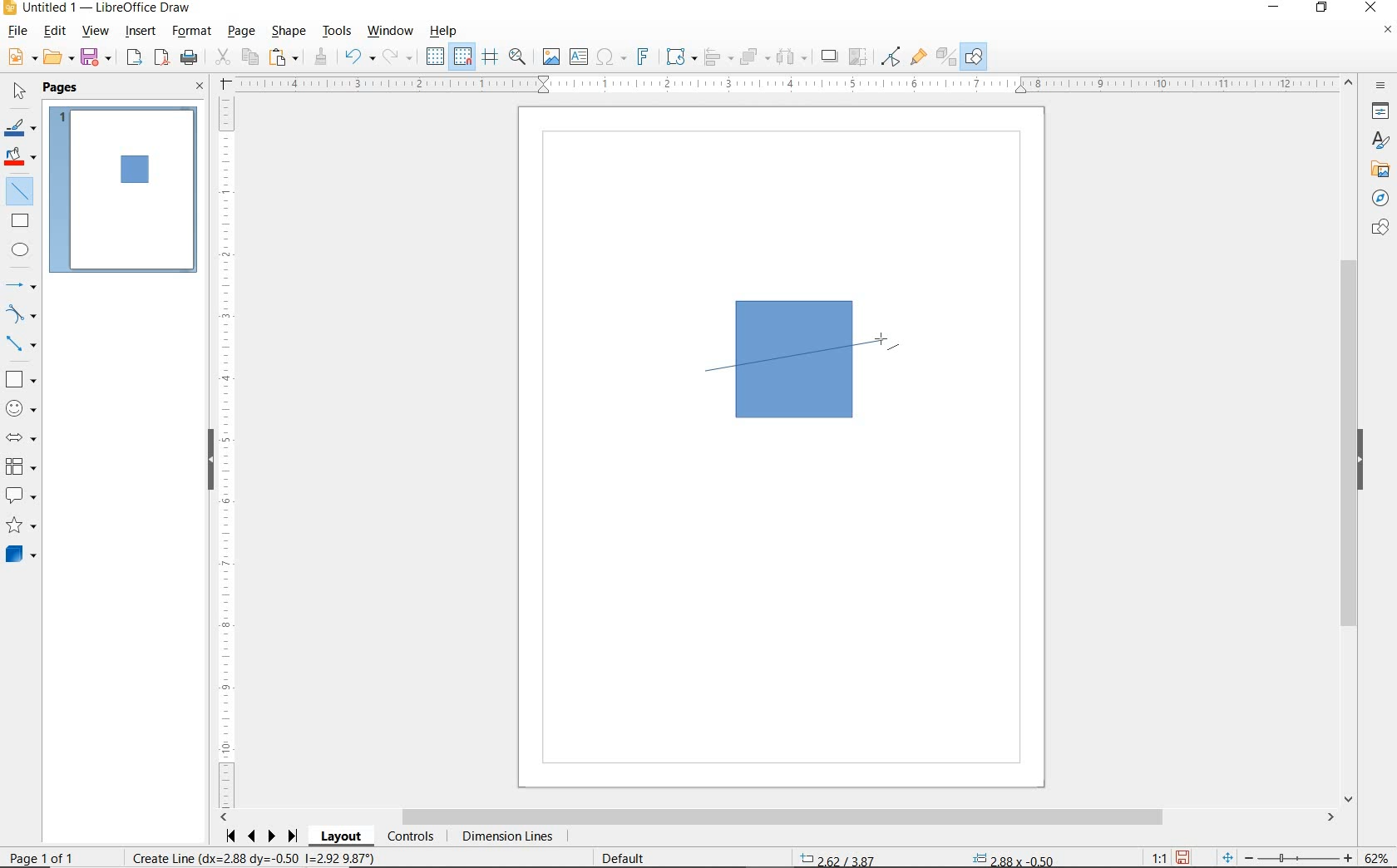 The image size is (1397, 868). What do you see at coordinates (792, 57) in the screenshot?
I see `SELECT AT LEAST THREE OBJECTS TO DISTRIBUTE` at bounding box center [792, 57].